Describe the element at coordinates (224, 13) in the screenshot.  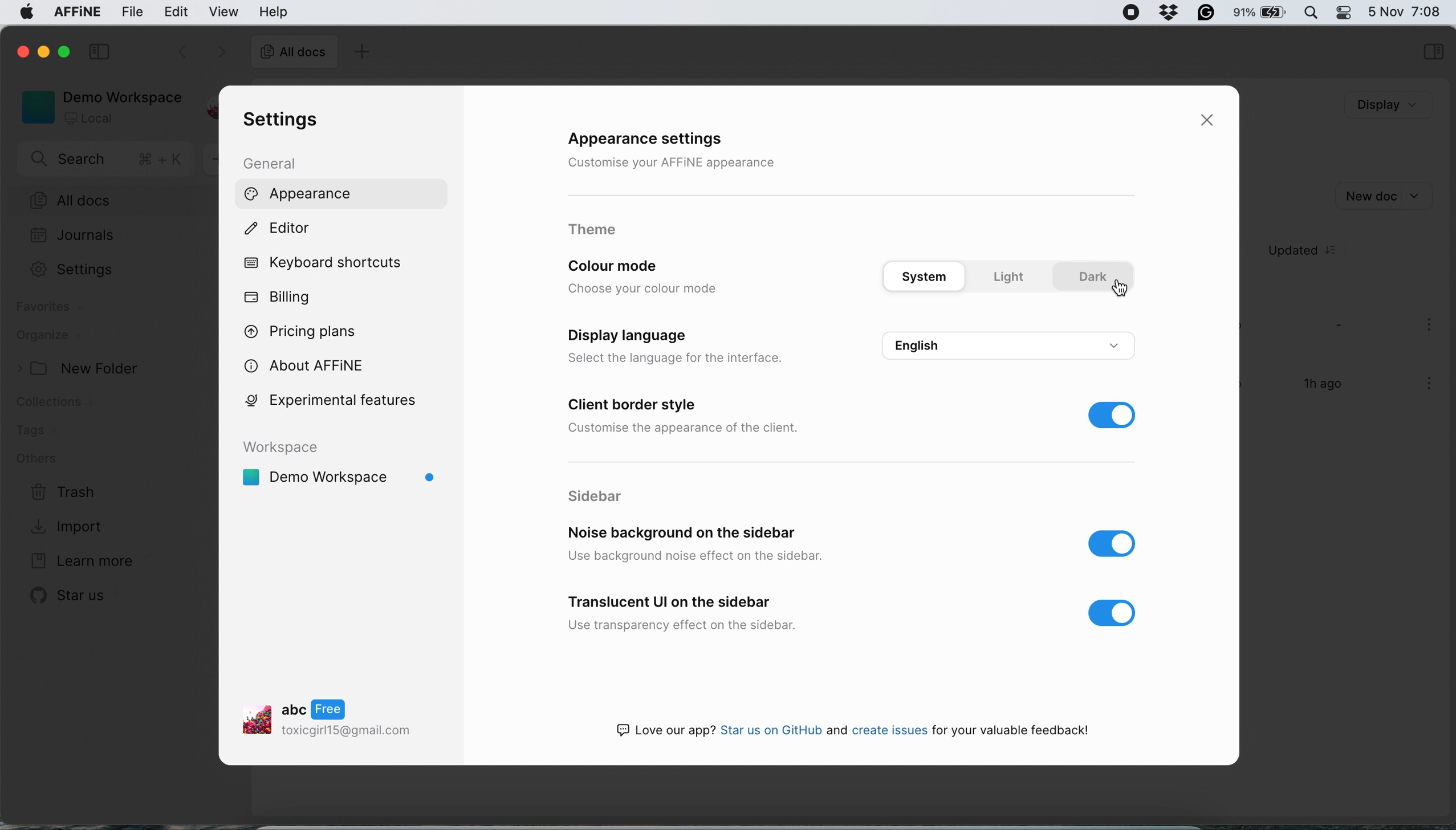
I see `view` at that location.